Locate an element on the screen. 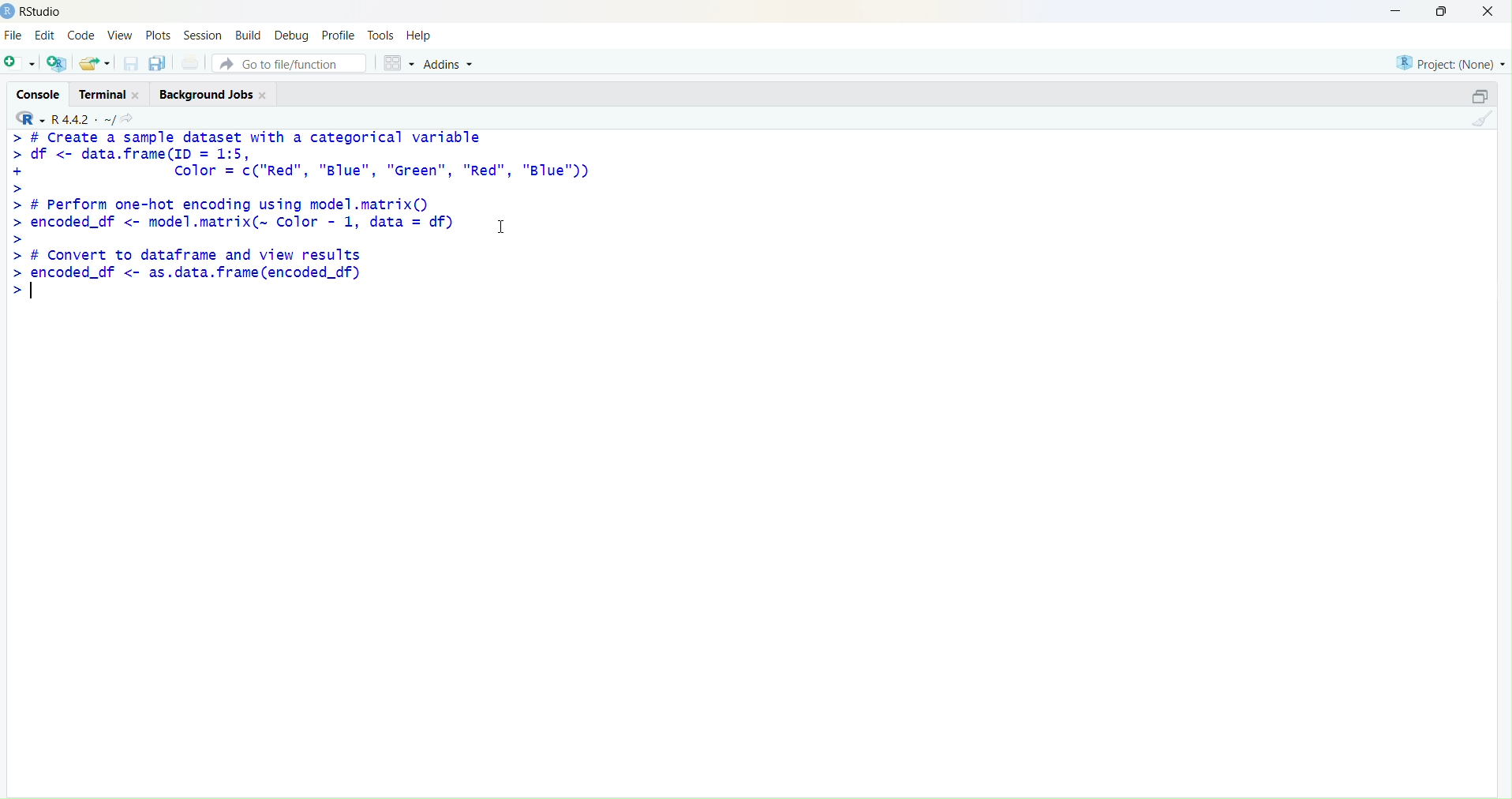 Image resolution: width=1512 pixels, height=799 pixels. help is located at coordinates (419, 36).